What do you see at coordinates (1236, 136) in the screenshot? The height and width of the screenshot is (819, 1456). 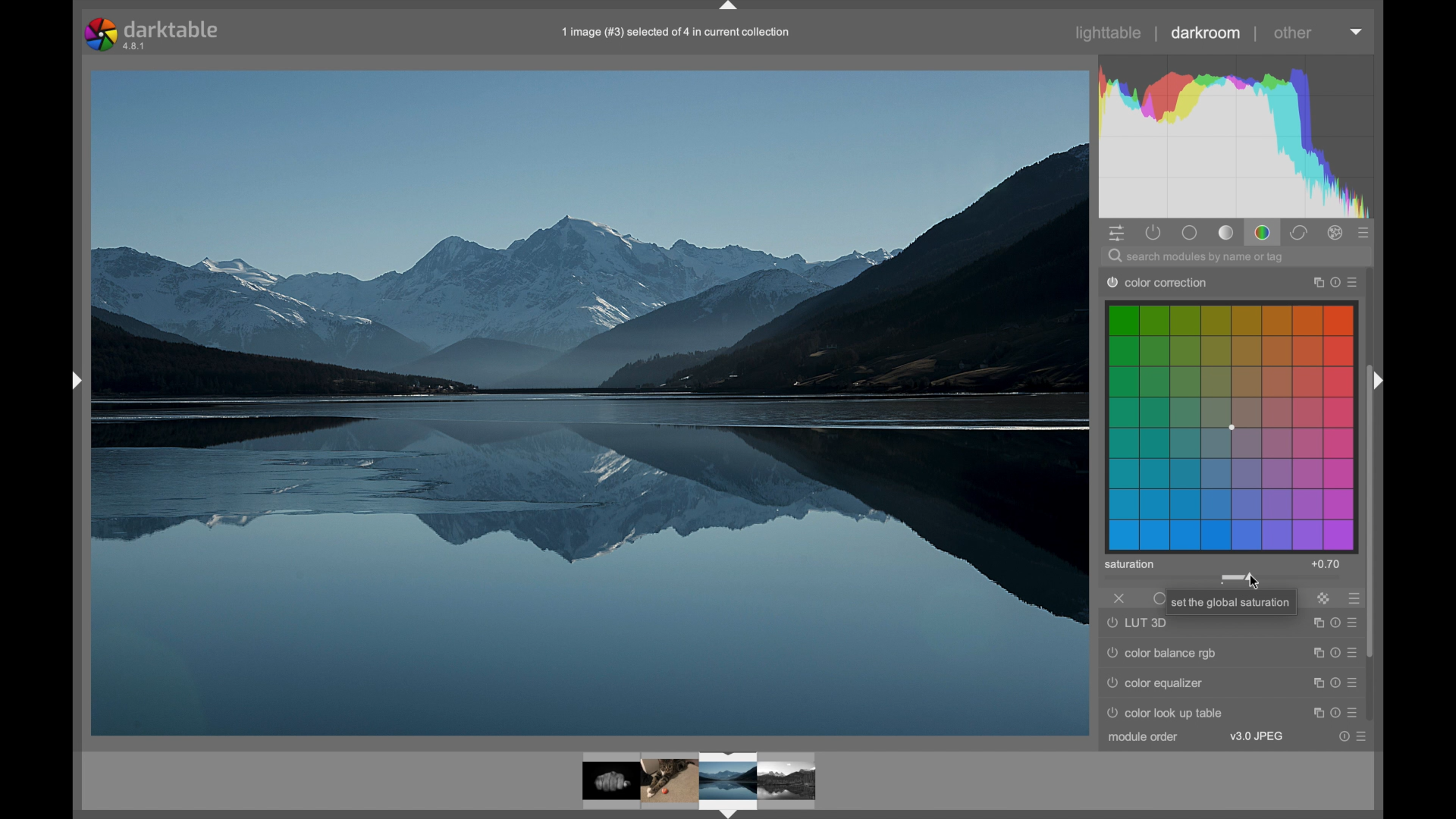 I see `histogram` at bounding box center [1236, 136].